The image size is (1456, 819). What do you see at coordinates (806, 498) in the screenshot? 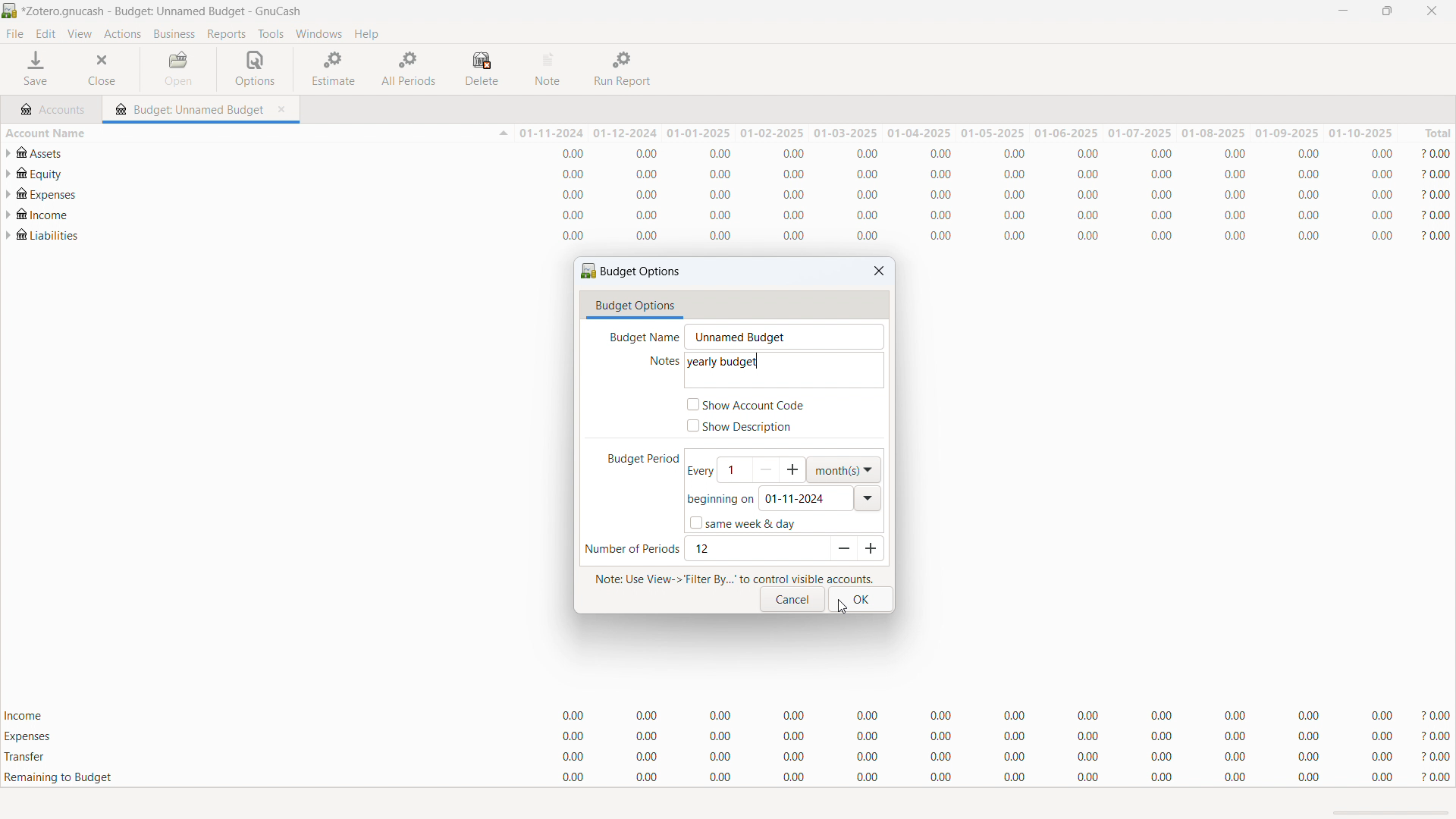
I see `begining date` at bounding box center [806, 498].